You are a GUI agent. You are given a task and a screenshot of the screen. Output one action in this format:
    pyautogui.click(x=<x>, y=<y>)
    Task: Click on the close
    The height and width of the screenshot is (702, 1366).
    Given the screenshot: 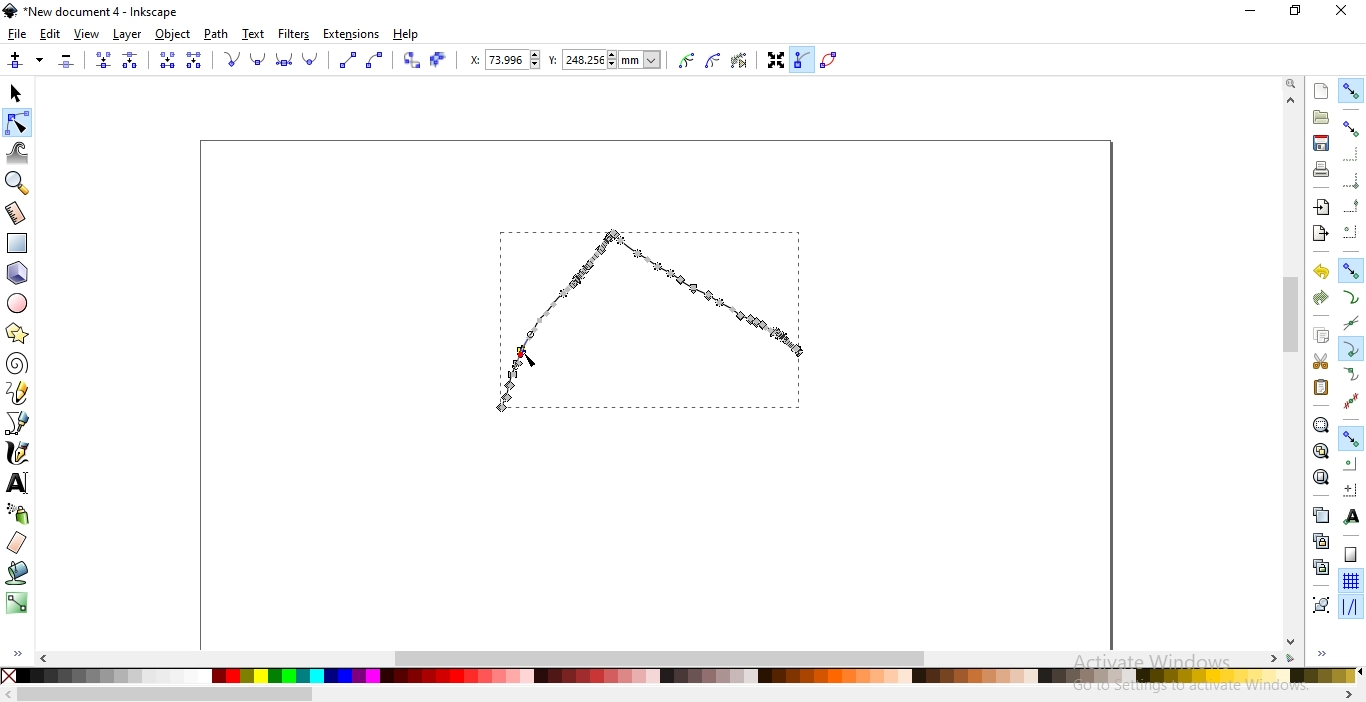 What is the action you would take?
    pyautogui.click(x=1340, y=11)
    